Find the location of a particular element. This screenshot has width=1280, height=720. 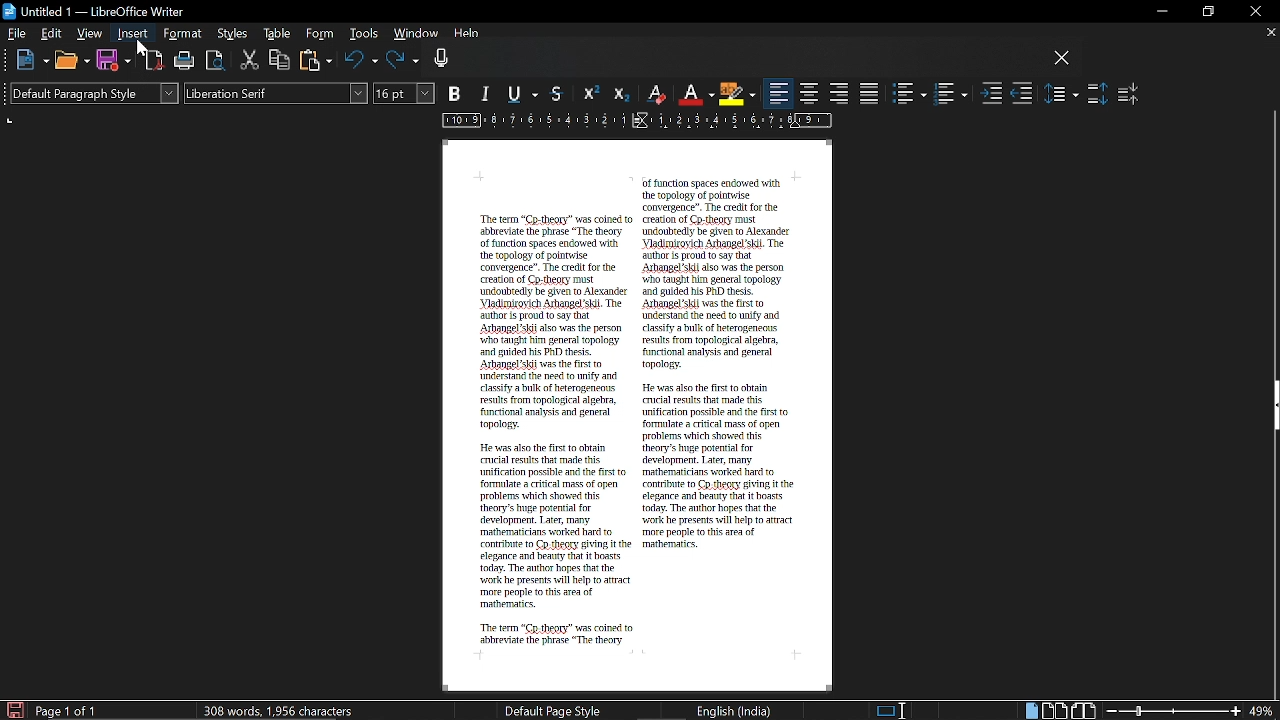

strikethrough is located at coordinates (559, 93).